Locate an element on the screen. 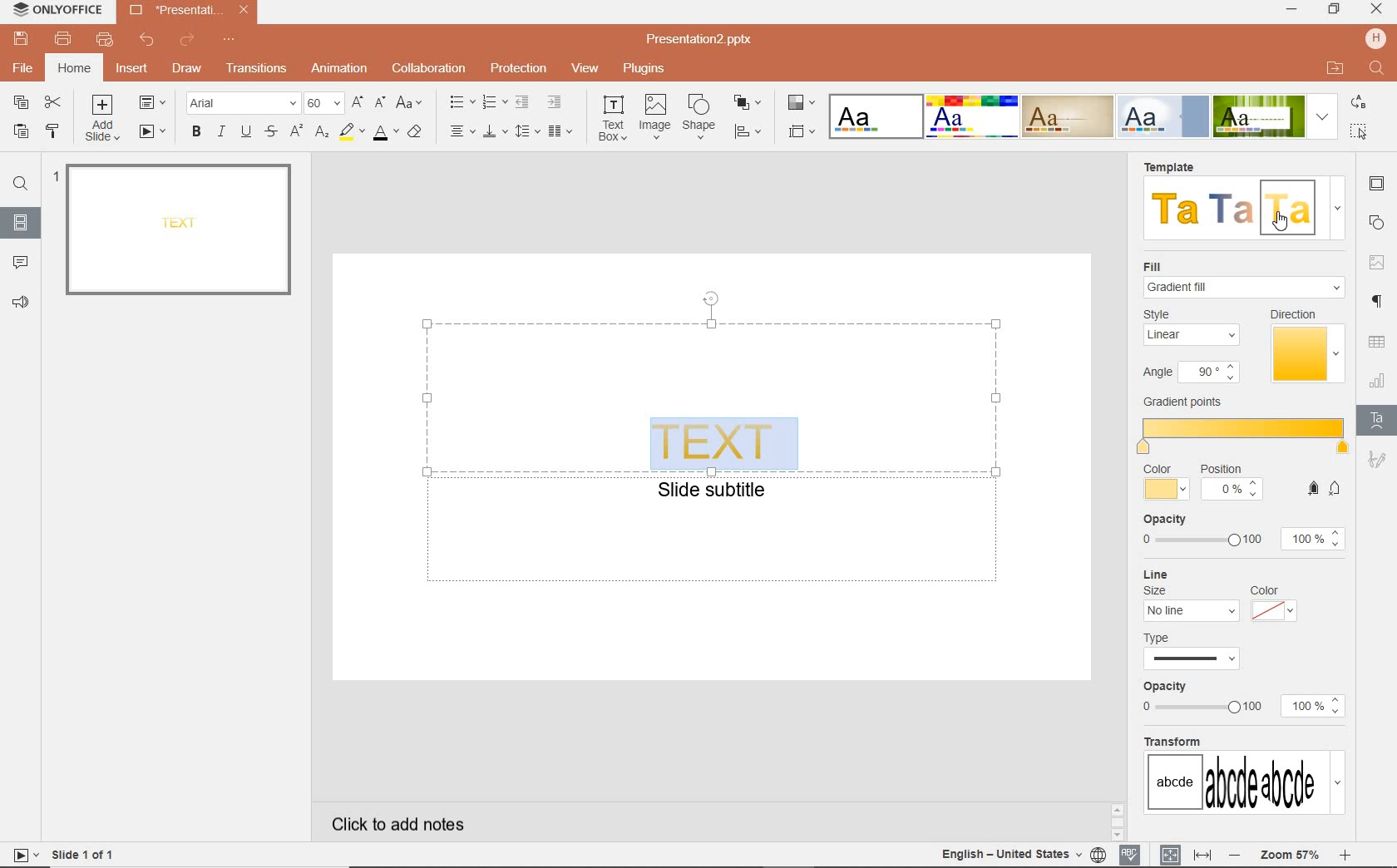 The width and height of the screenshot is (1397, 868). line spacing is located at coordinates (527, 131).